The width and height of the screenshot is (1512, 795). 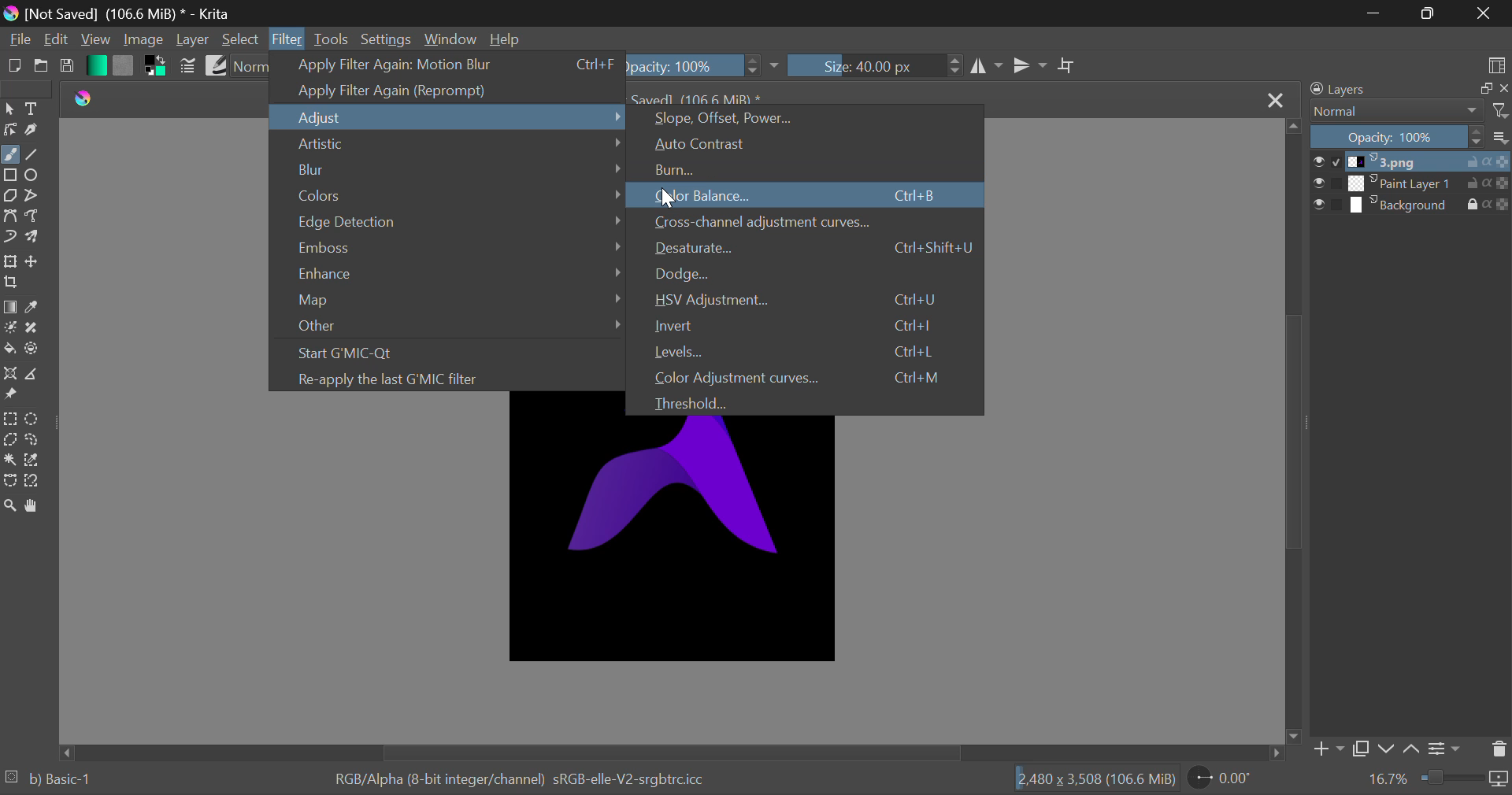 What do you see at coordinates (34, 417) in the screenshot?
I see `Circular Selection` at bounding box center [34, 417].